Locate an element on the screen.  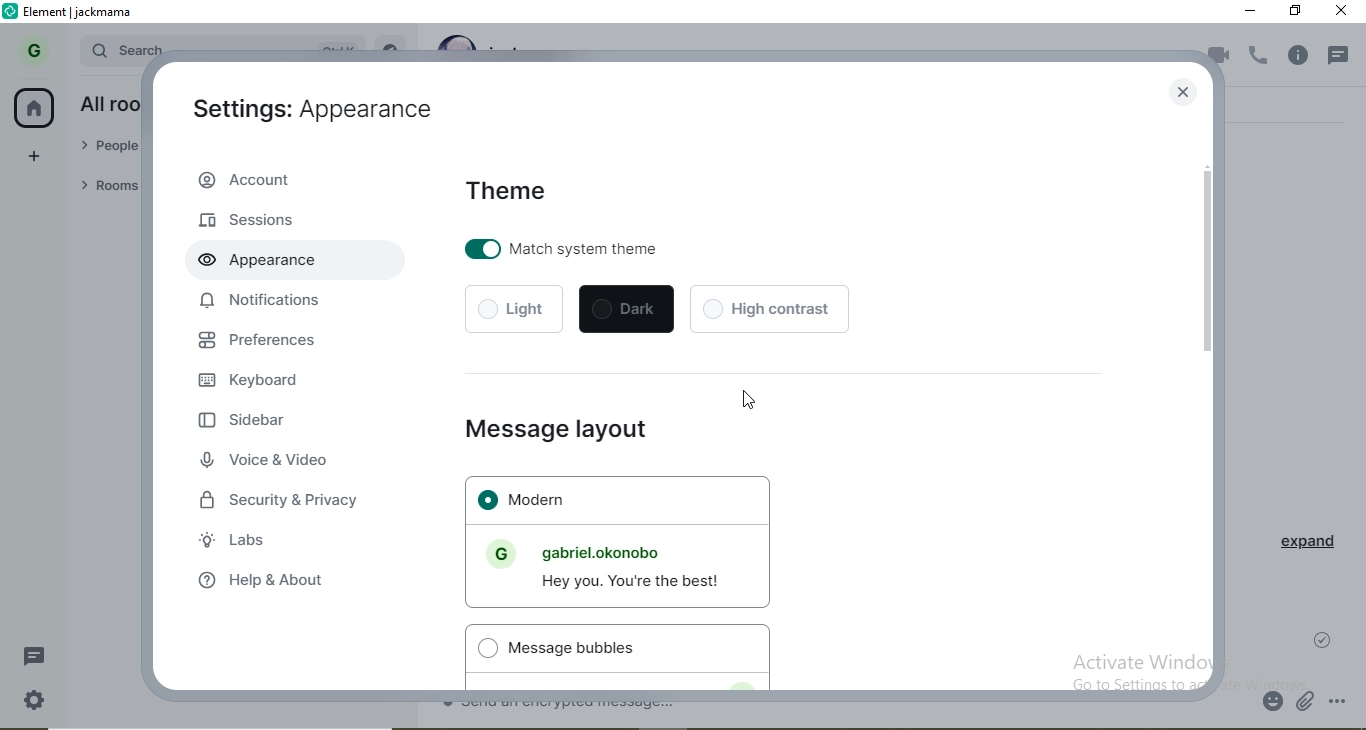
logo is located at coordinates (12, 12).